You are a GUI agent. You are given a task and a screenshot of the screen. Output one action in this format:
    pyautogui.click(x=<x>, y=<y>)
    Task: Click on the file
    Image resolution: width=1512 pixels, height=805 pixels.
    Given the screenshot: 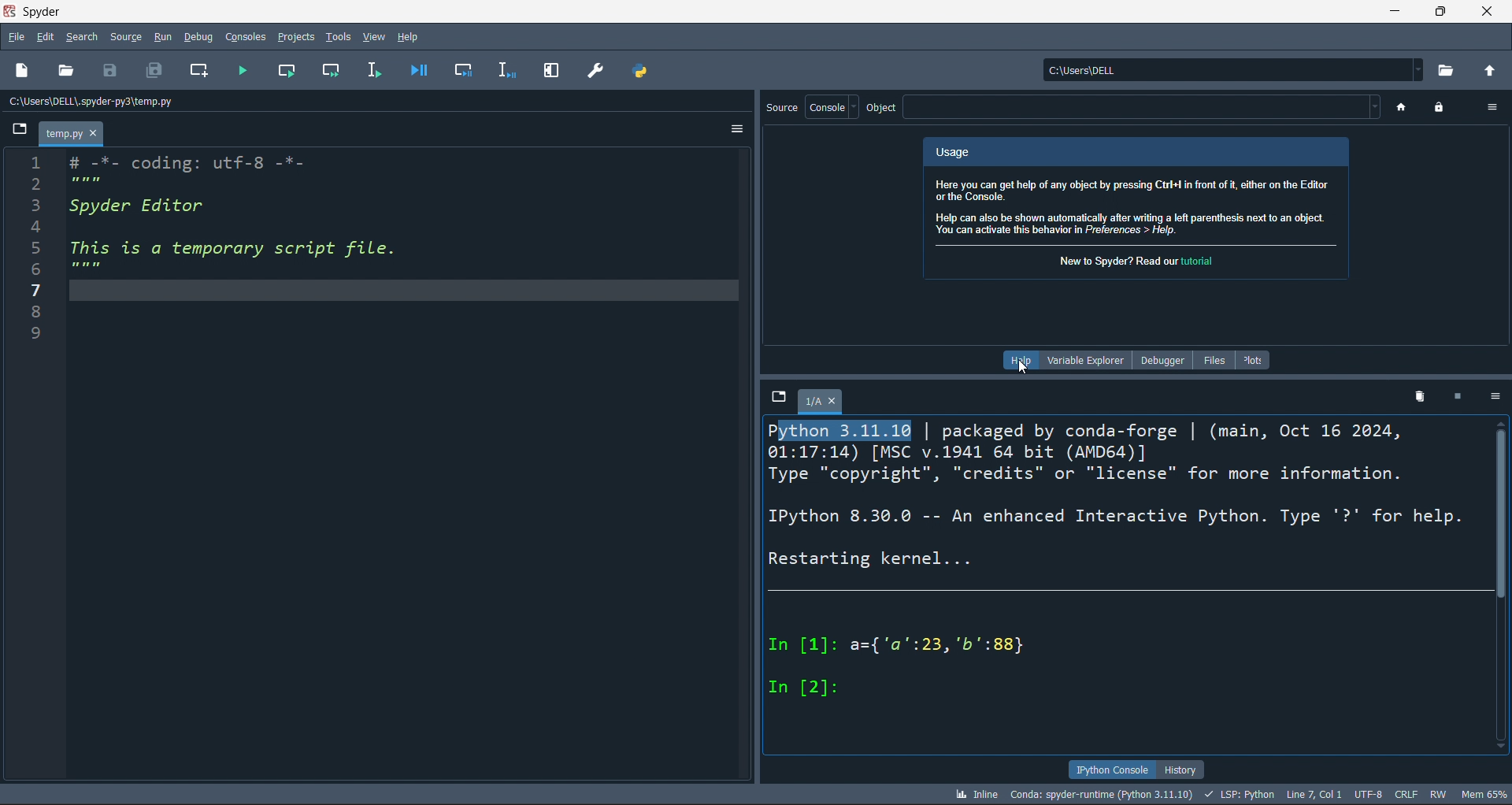 What is the action you would take?
    pyautogui.click(x=15, y=35)
    